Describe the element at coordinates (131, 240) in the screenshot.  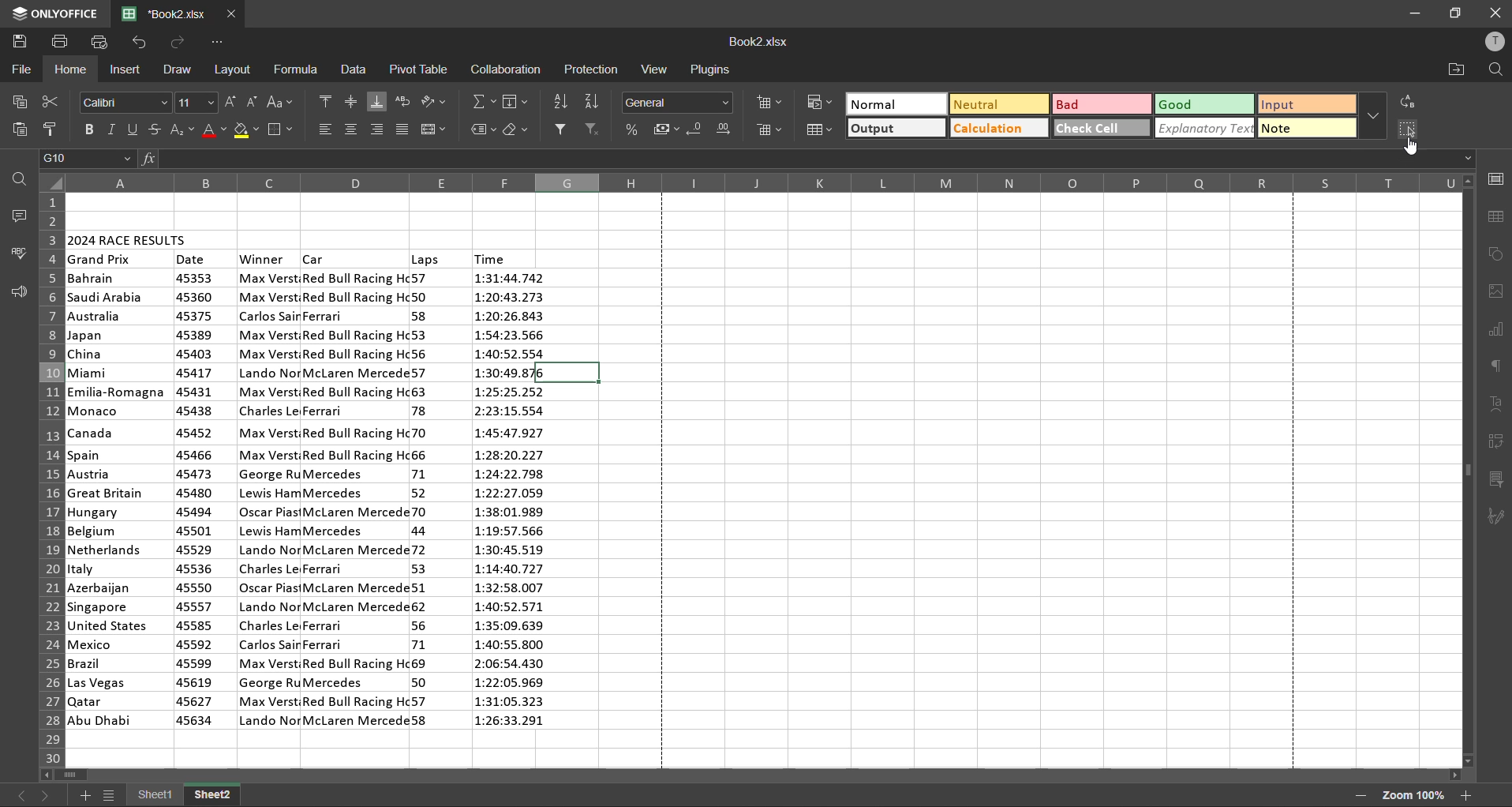
I see `2024 race results` at that location.